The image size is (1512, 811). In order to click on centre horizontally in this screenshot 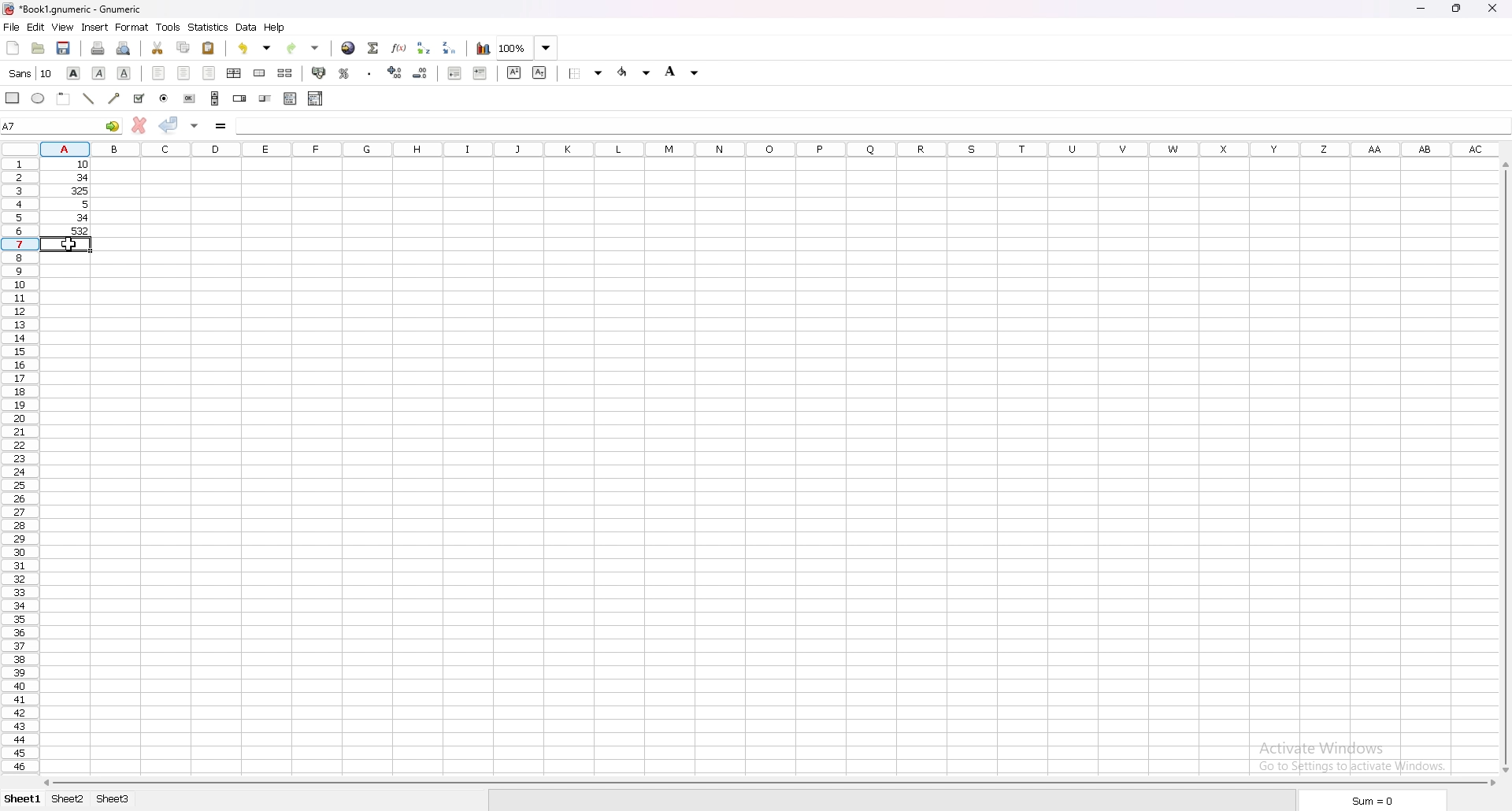, I will do `click(233, 72)`.